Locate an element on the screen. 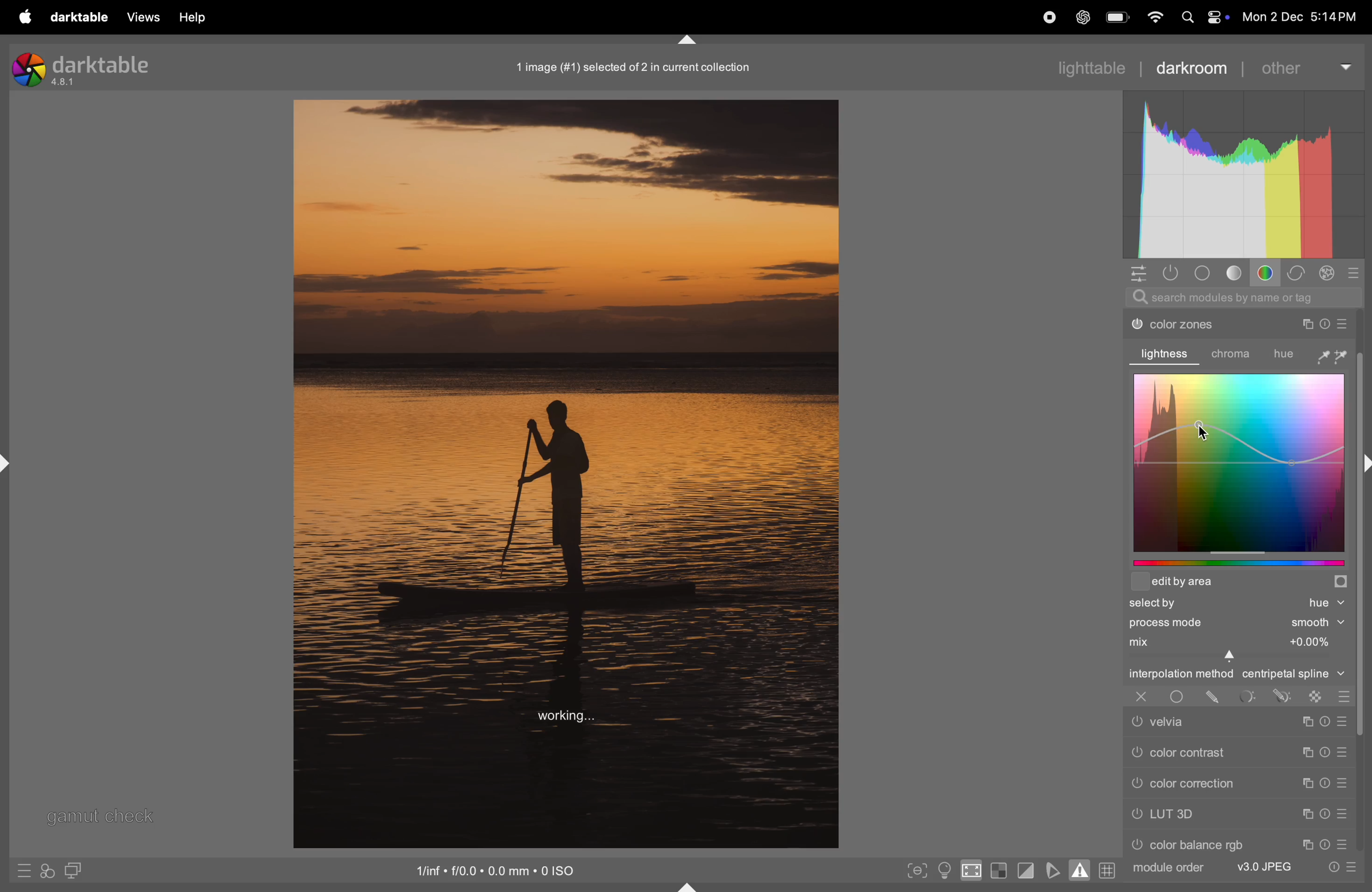 This screenshot has height=892, width=1372. Timer is located at coordinates (1325, 753).